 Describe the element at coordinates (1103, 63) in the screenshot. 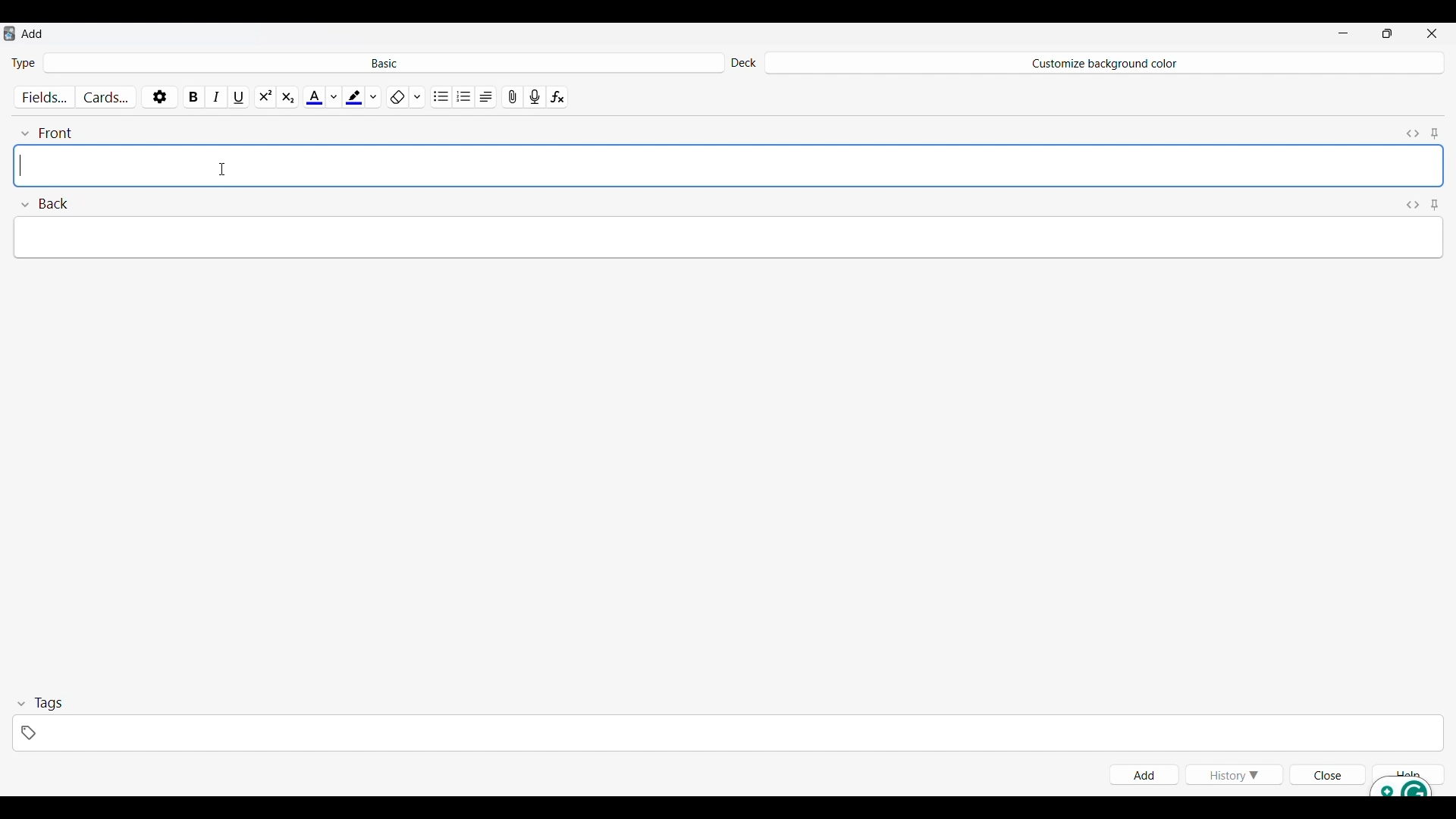

I see `Deck name changed` at that location.